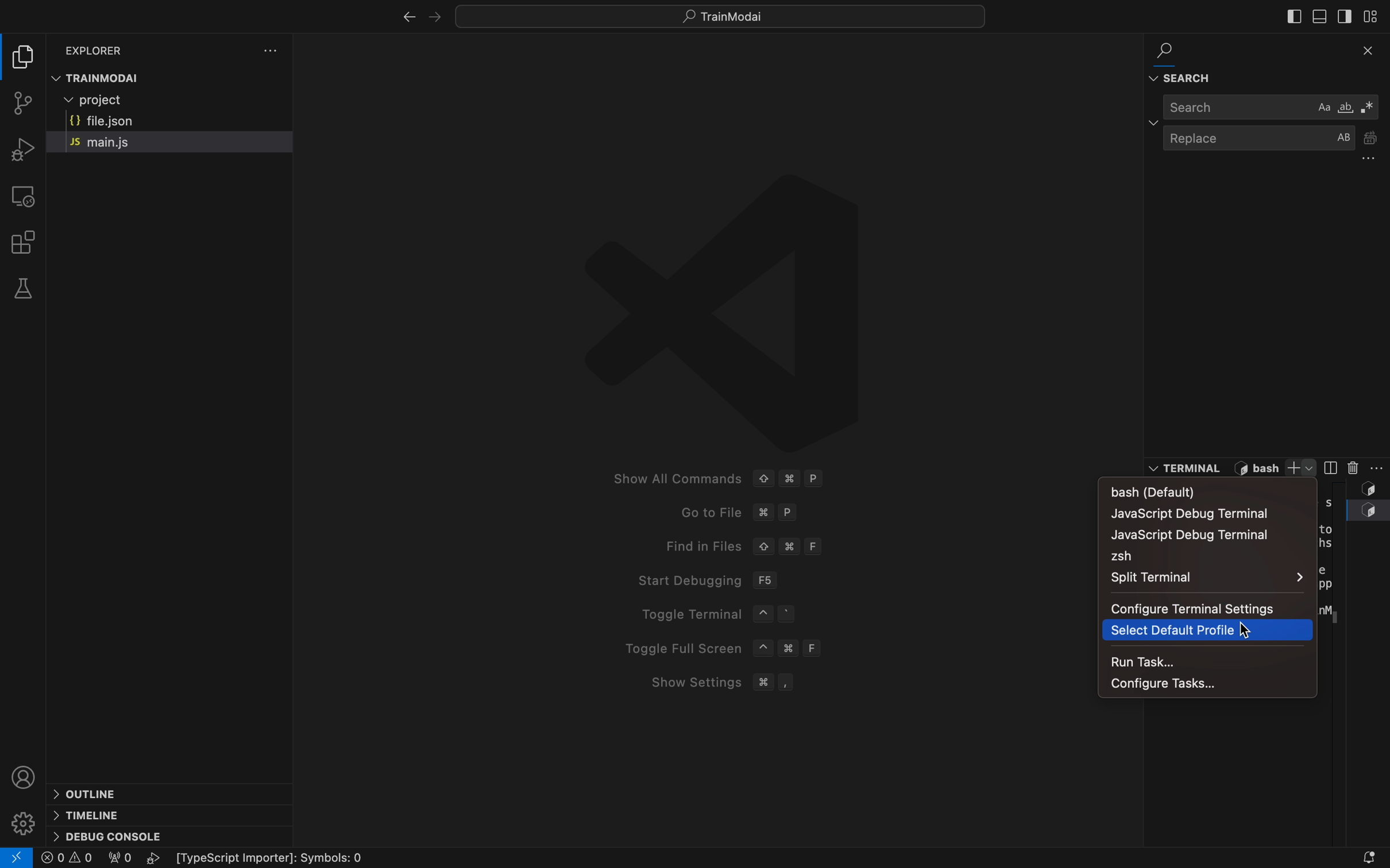 This screenshot has height=868, width=1390. What do you see at coordinates (1352, 468) in the screenshot?
I see `delete` at bounding box center [1352, 468].